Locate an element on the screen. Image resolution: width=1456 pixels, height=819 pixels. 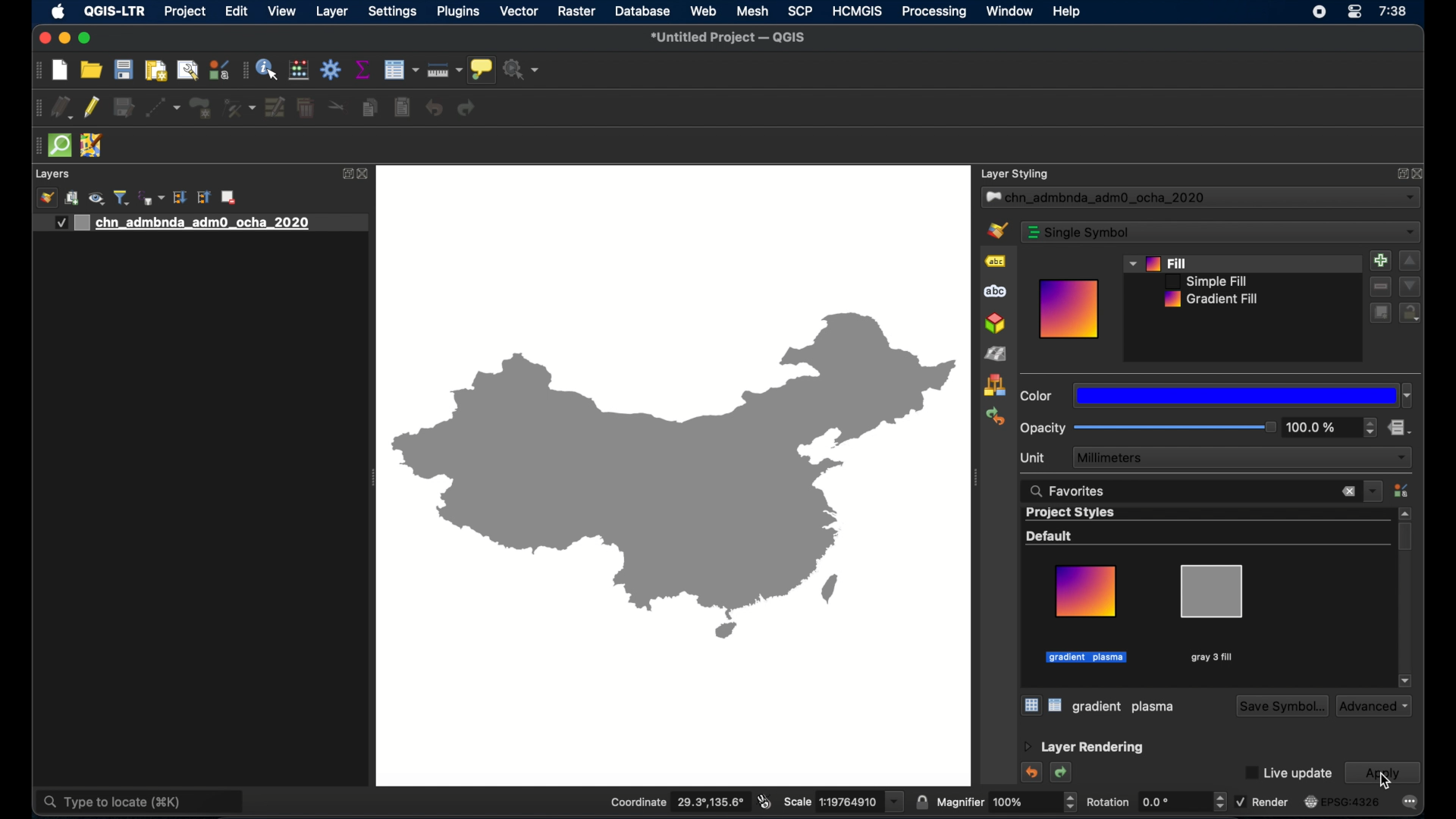
drag handle is located at coordinates (38, 108).